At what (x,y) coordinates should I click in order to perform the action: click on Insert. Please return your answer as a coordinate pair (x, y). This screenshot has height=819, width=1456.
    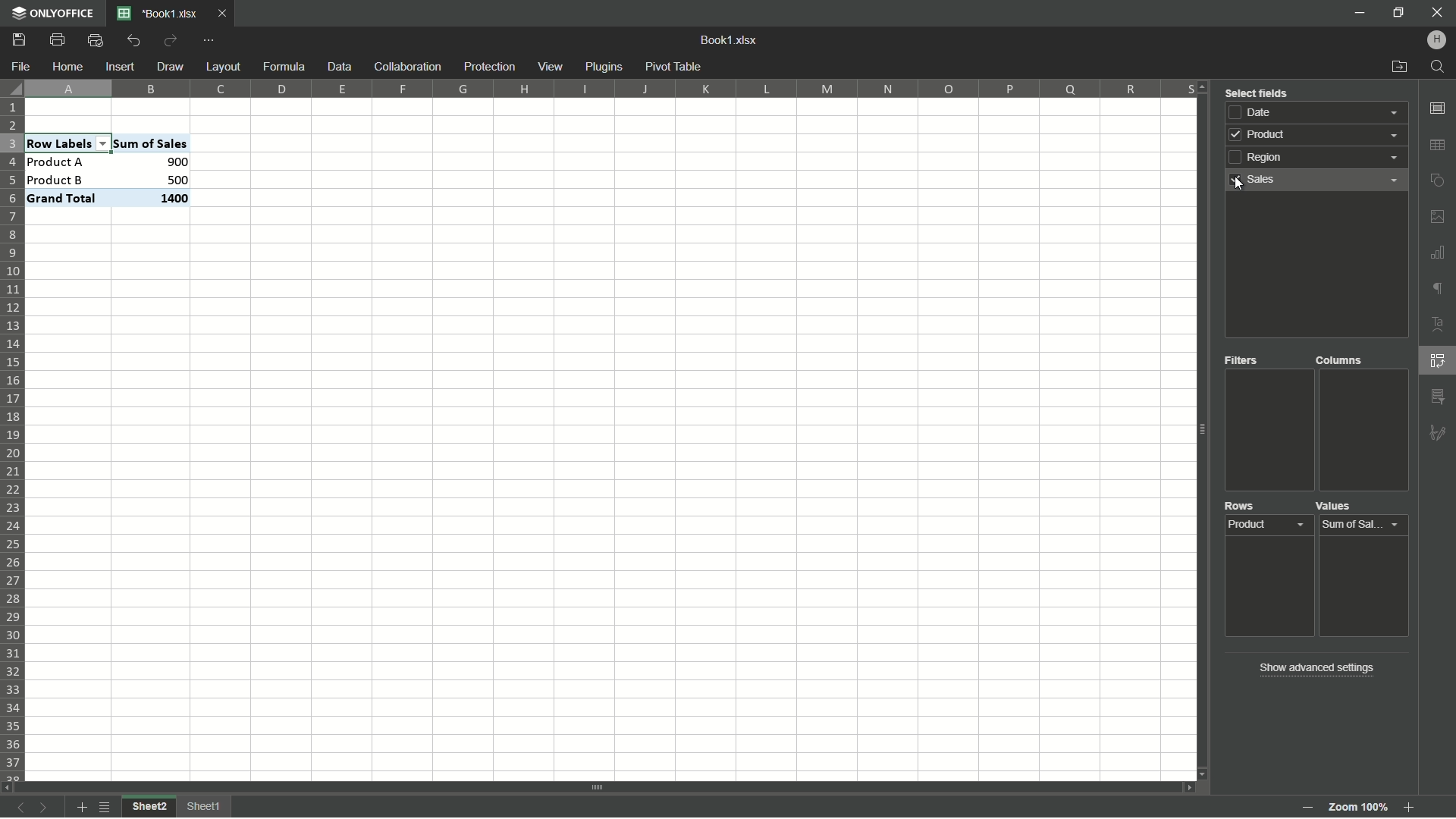
    Looking at the image, I should click on (120, 67).